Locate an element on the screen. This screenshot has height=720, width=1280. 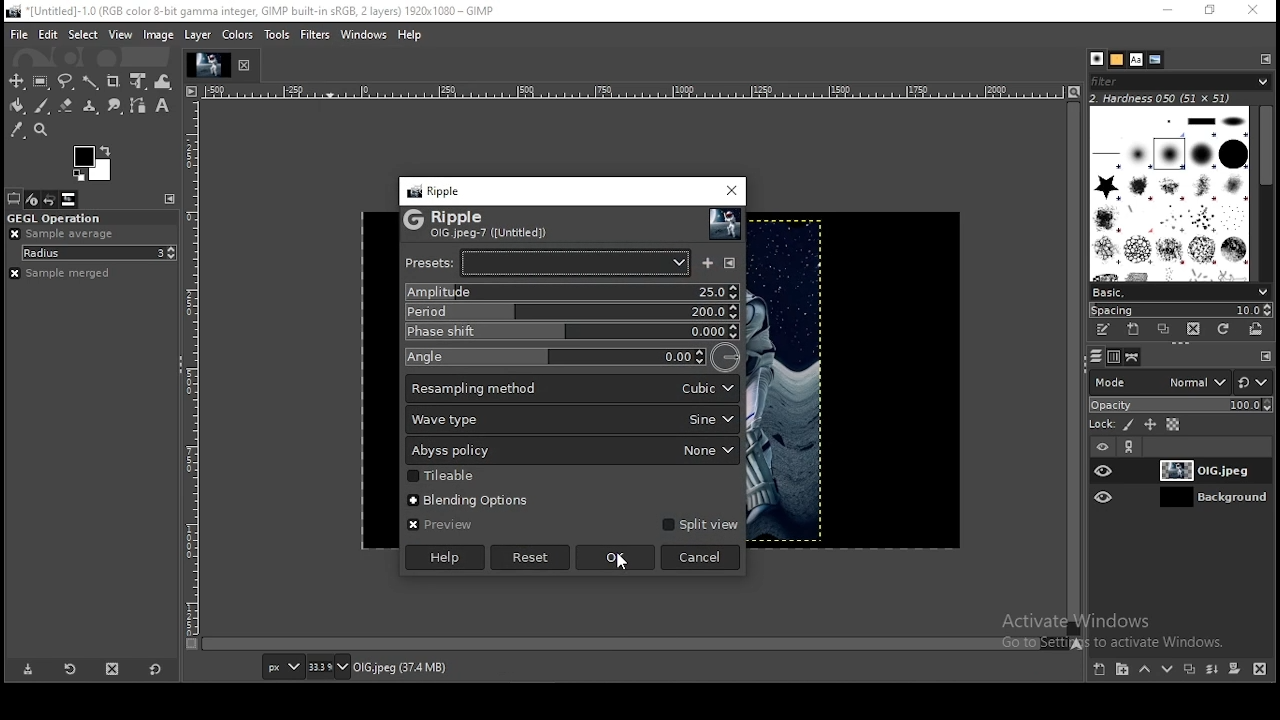
text tool is located at coordinates (162, 106).